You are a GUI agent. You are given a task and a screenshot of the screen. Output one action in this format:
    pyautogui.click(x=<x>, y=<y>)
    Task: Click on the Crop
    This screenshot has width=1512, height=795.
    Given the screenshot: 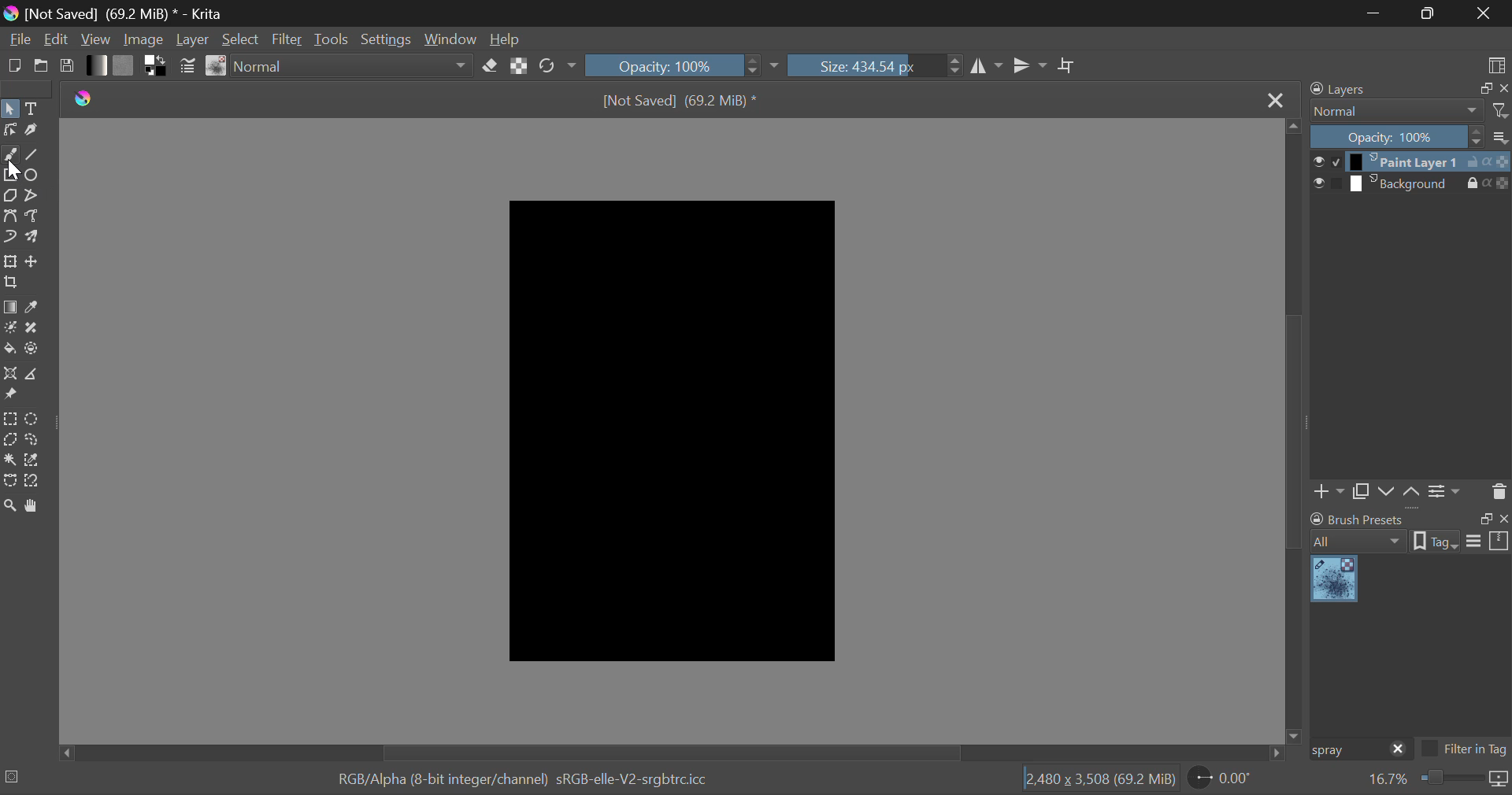 What is the action you would take?
    pyautogui.click(x=1069, y=66)
    